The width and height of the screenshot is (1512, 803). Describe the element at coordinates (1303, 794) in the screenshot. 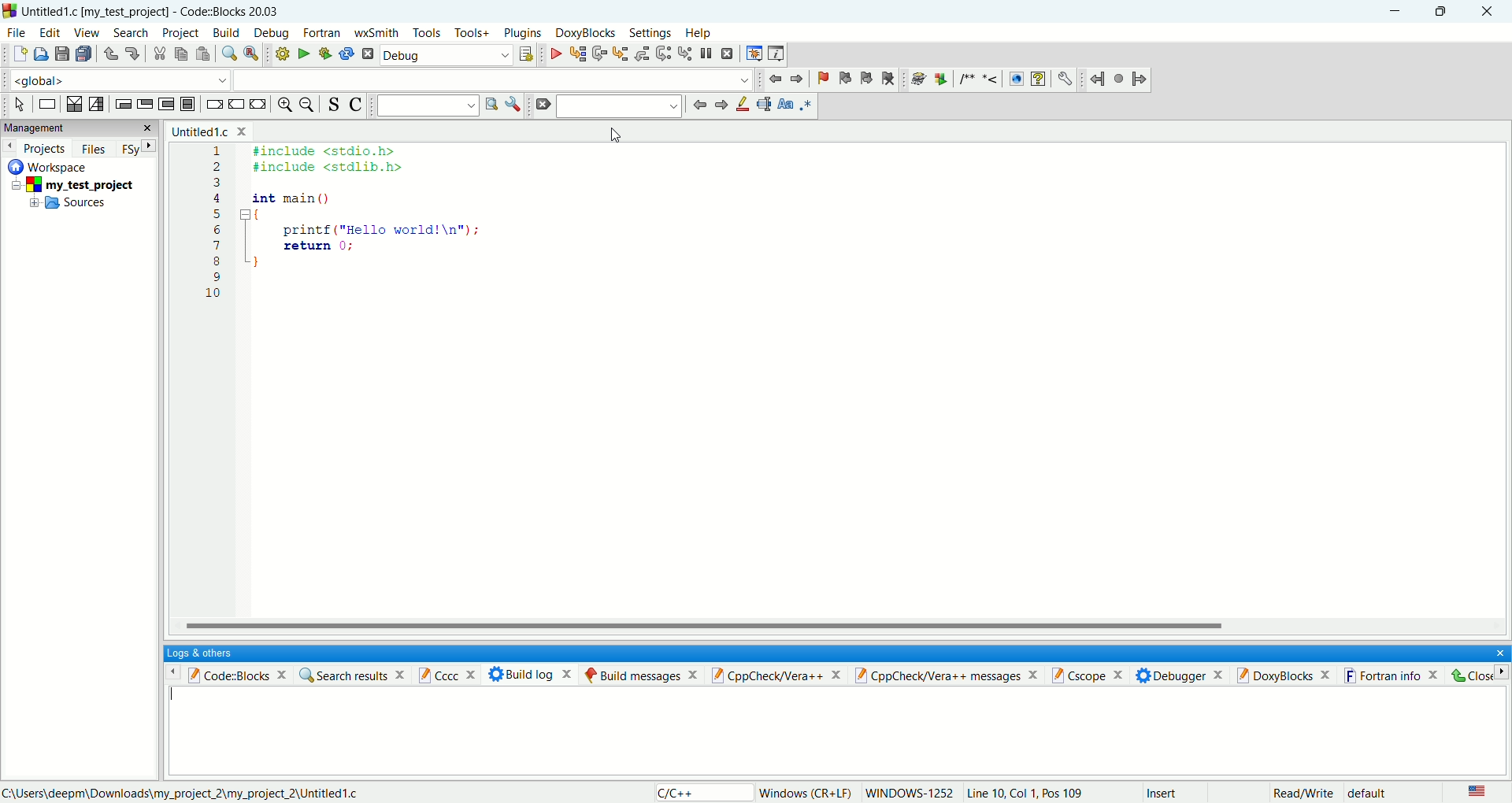

I see `read/write` at that location.